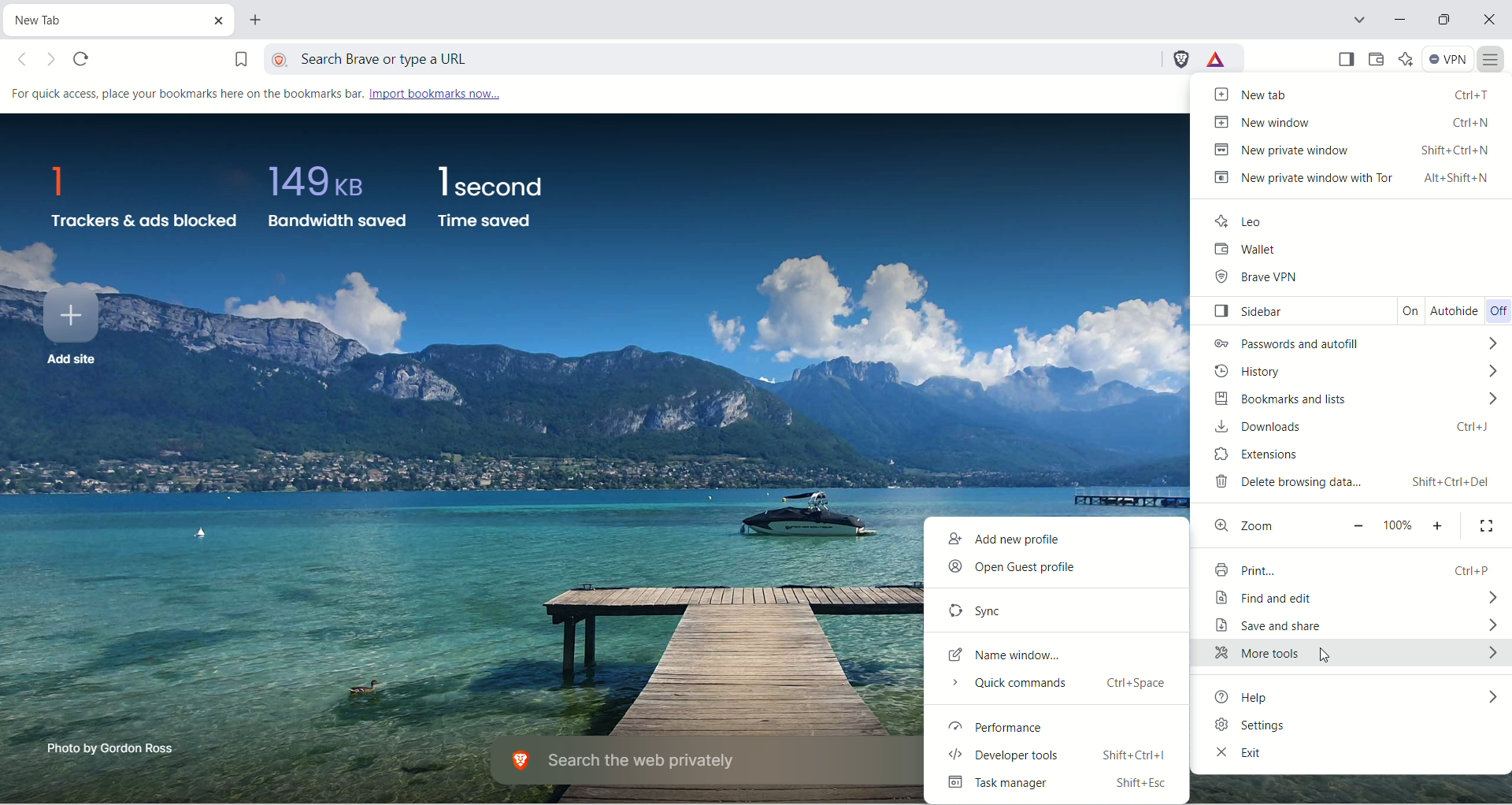 The image size is (1512, 805). I want to click on more, so click(1492, 61).